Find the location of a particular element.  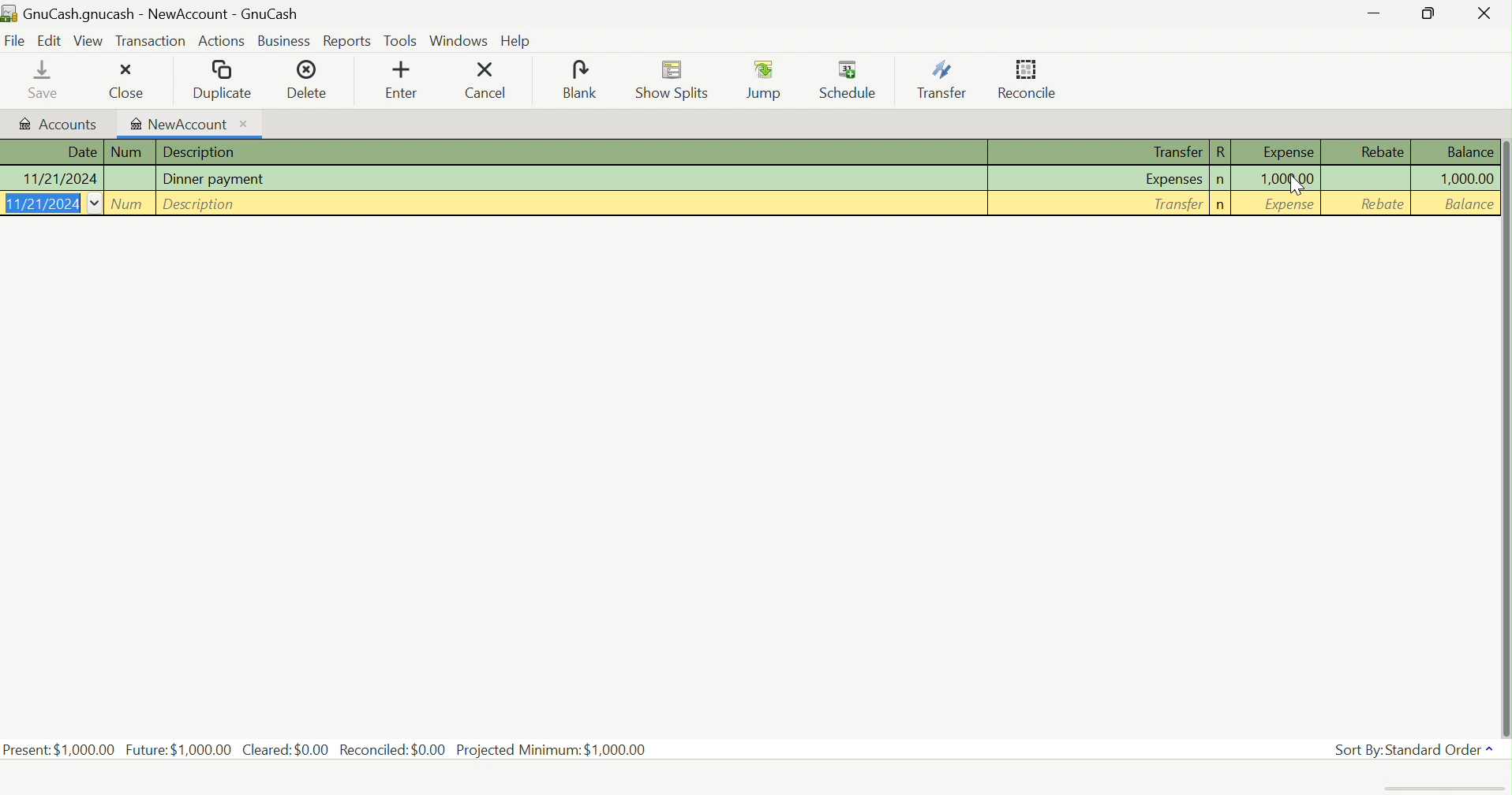

Edit is located at coordinates (48, 40).